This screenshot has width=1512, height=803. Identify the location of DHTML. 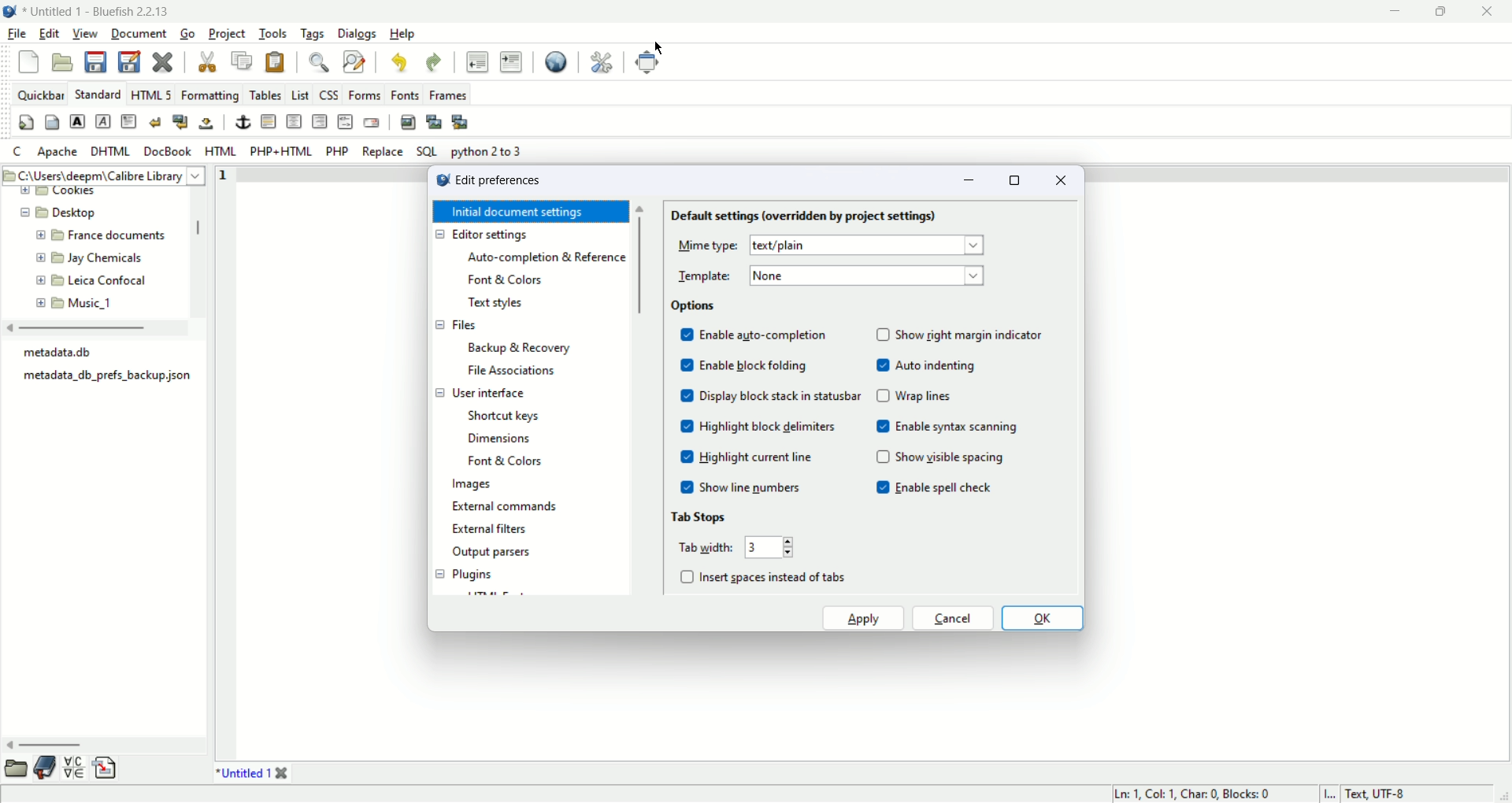
(110, 152).